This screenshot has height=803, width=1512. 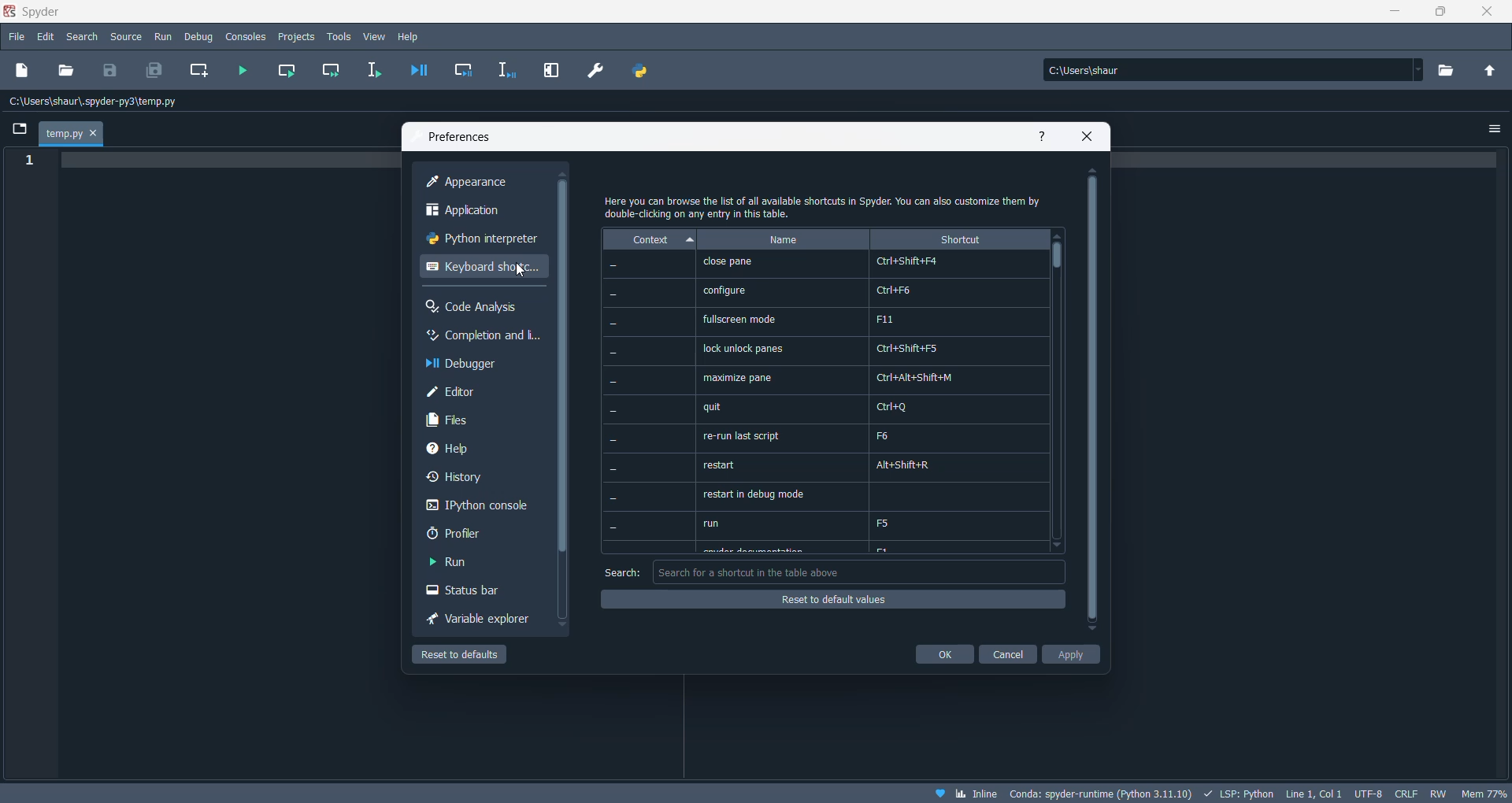 I want to click on edit, so click(x=46, y=37).